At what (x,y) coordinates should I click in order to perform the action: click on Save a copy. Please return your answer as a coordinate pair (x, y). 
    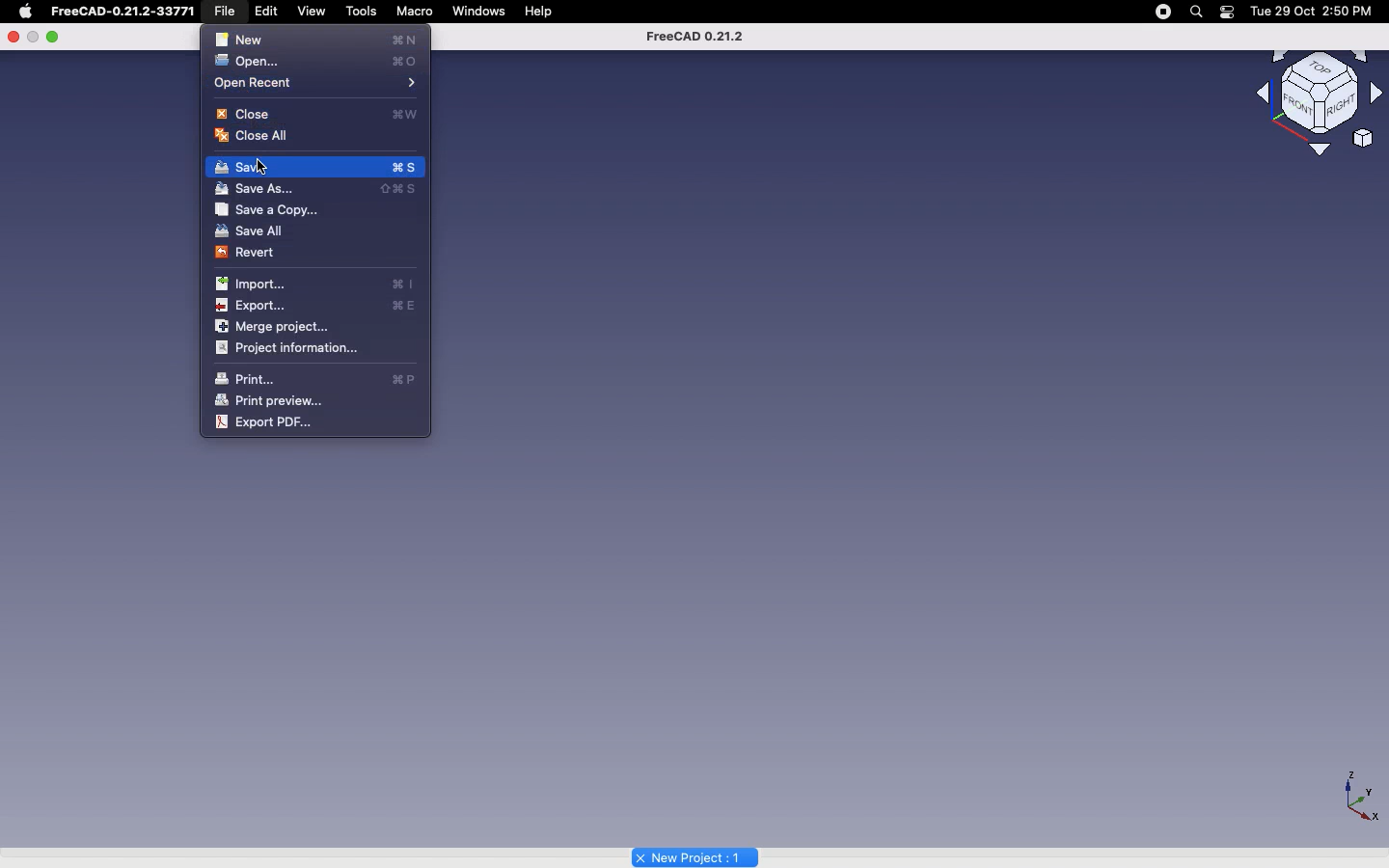
    Looking at the image, I should click on (269, 207).